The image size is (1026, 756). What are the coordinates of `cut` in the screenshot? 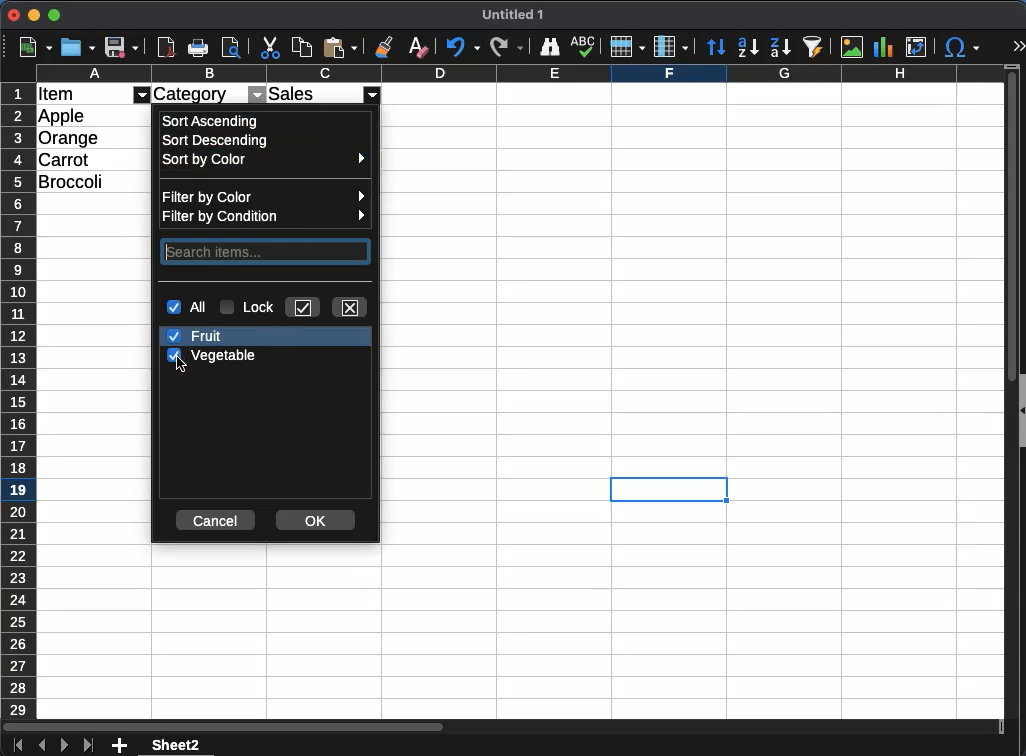 It's located at (271, 48).